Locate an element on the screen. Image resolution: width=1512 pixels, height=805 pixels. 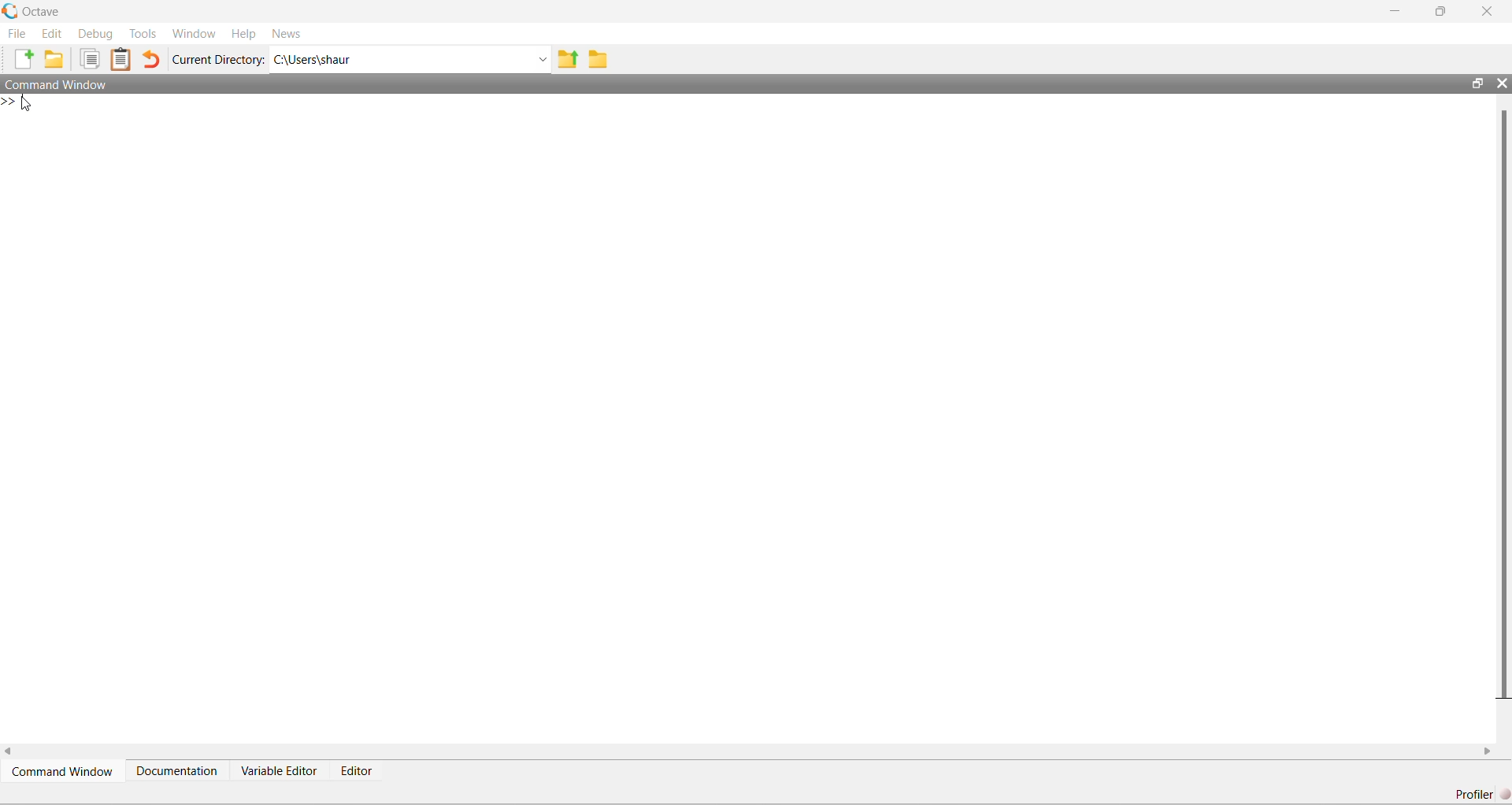
Logo is located at coordinates (10, 10).